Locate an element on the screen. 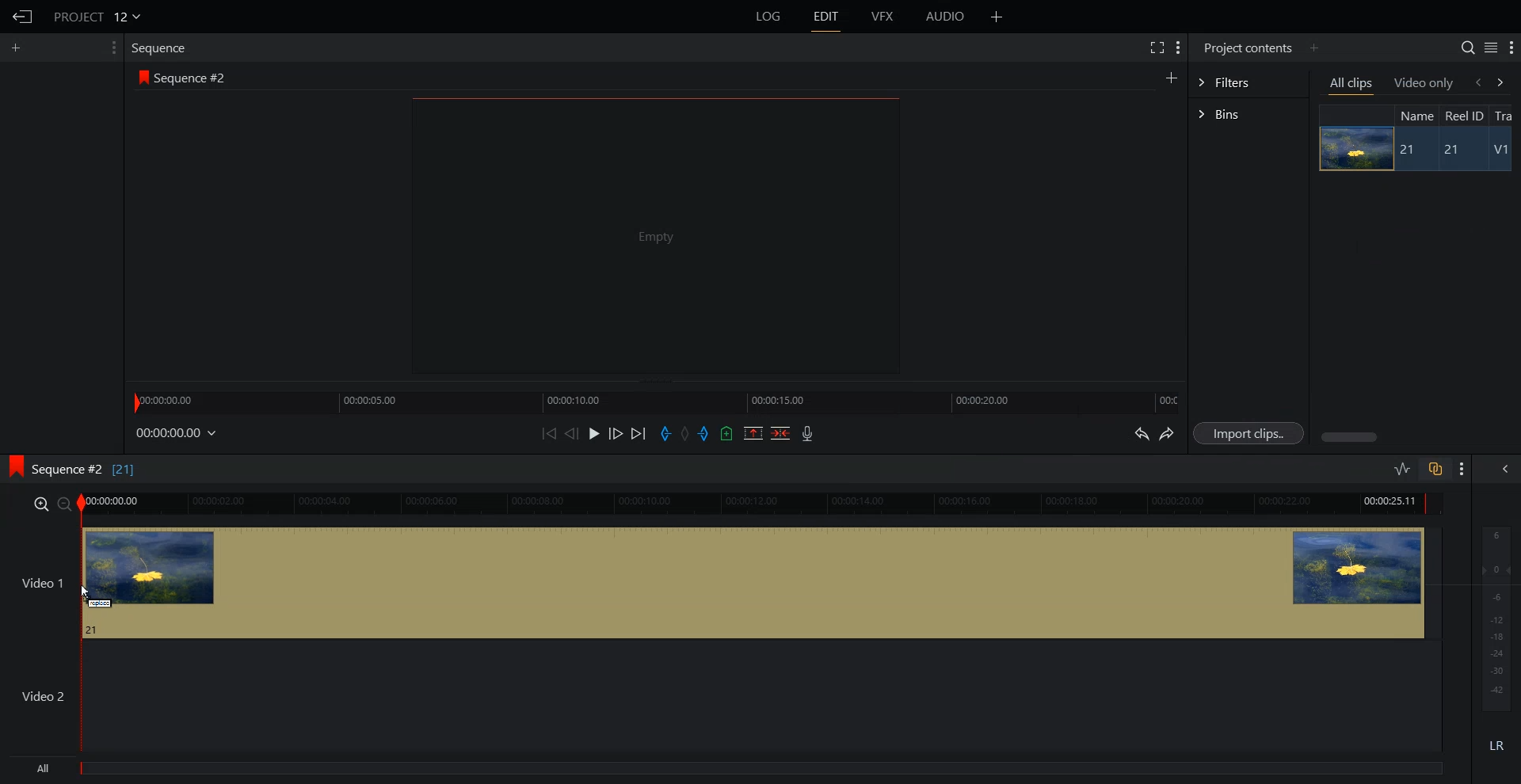 The width and height of the screenshot is (1521, 784). Tra is located at coordinates (1507, 114).